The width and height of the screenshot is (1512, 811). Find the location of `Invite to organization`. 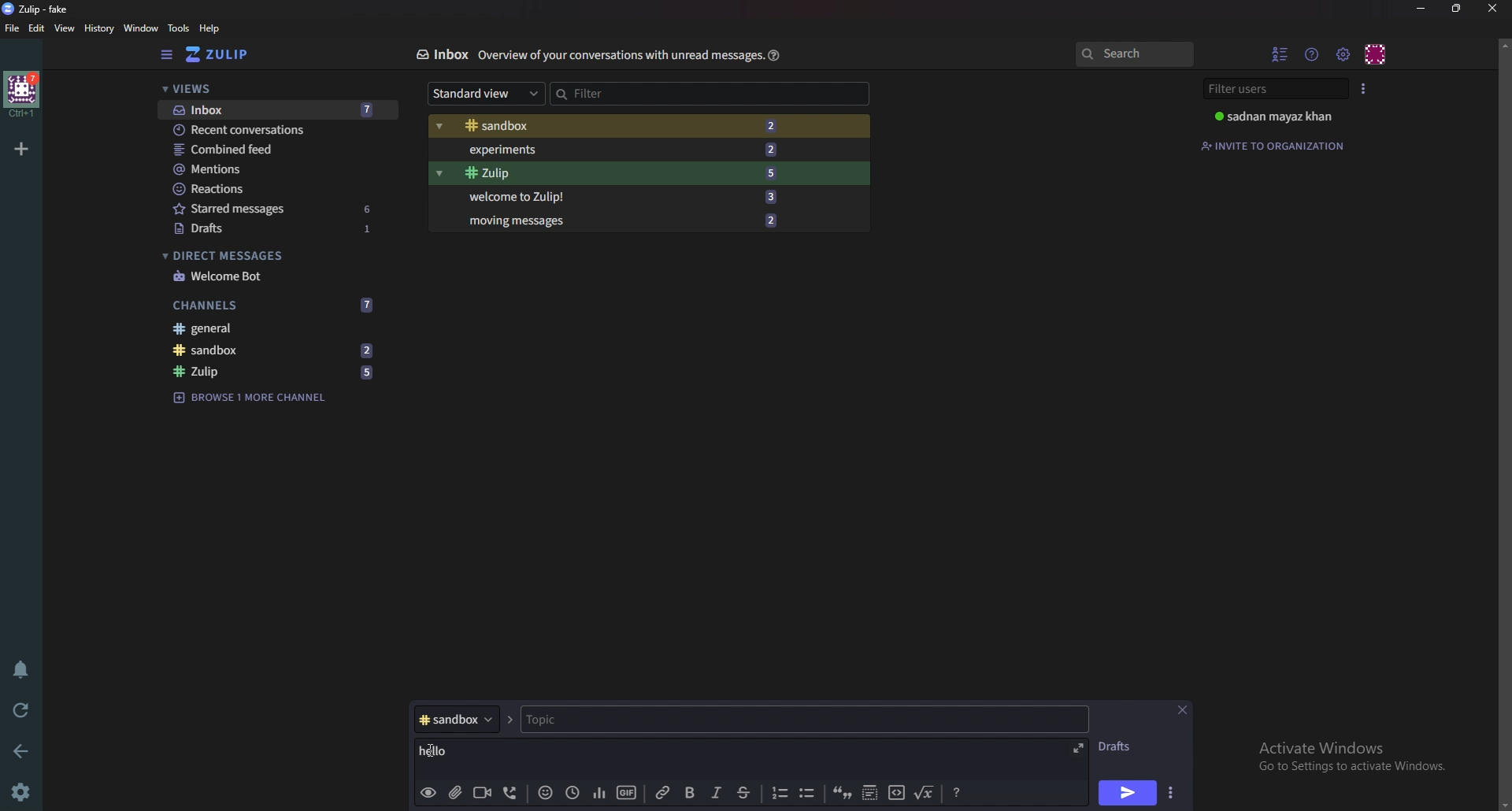

Invite to organization is located at coordinates (1278, 145).